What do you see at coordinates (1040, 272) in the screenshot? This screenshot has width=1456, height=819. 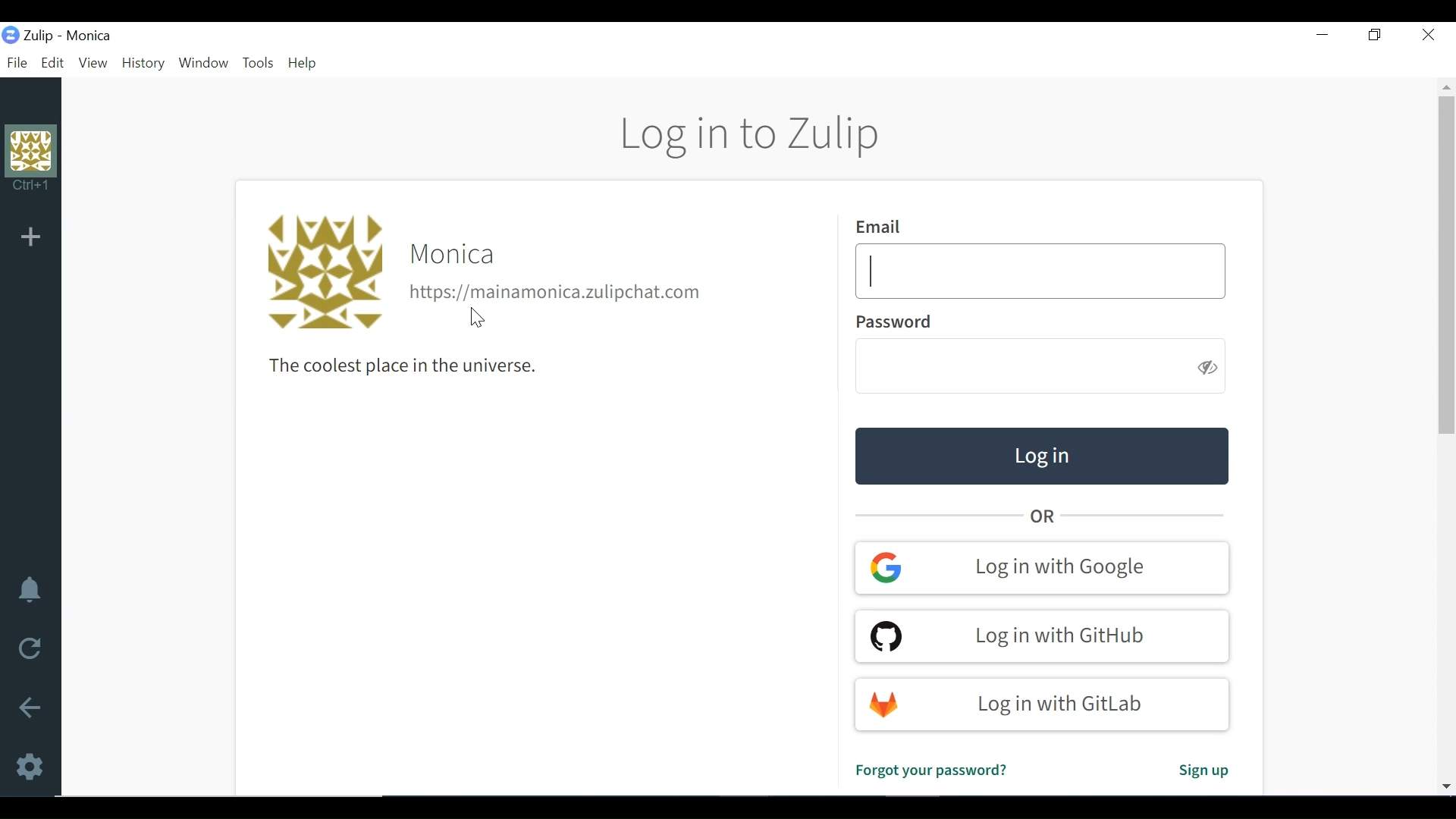 I see `Enter Email ` at bounding box center [1040, 272].